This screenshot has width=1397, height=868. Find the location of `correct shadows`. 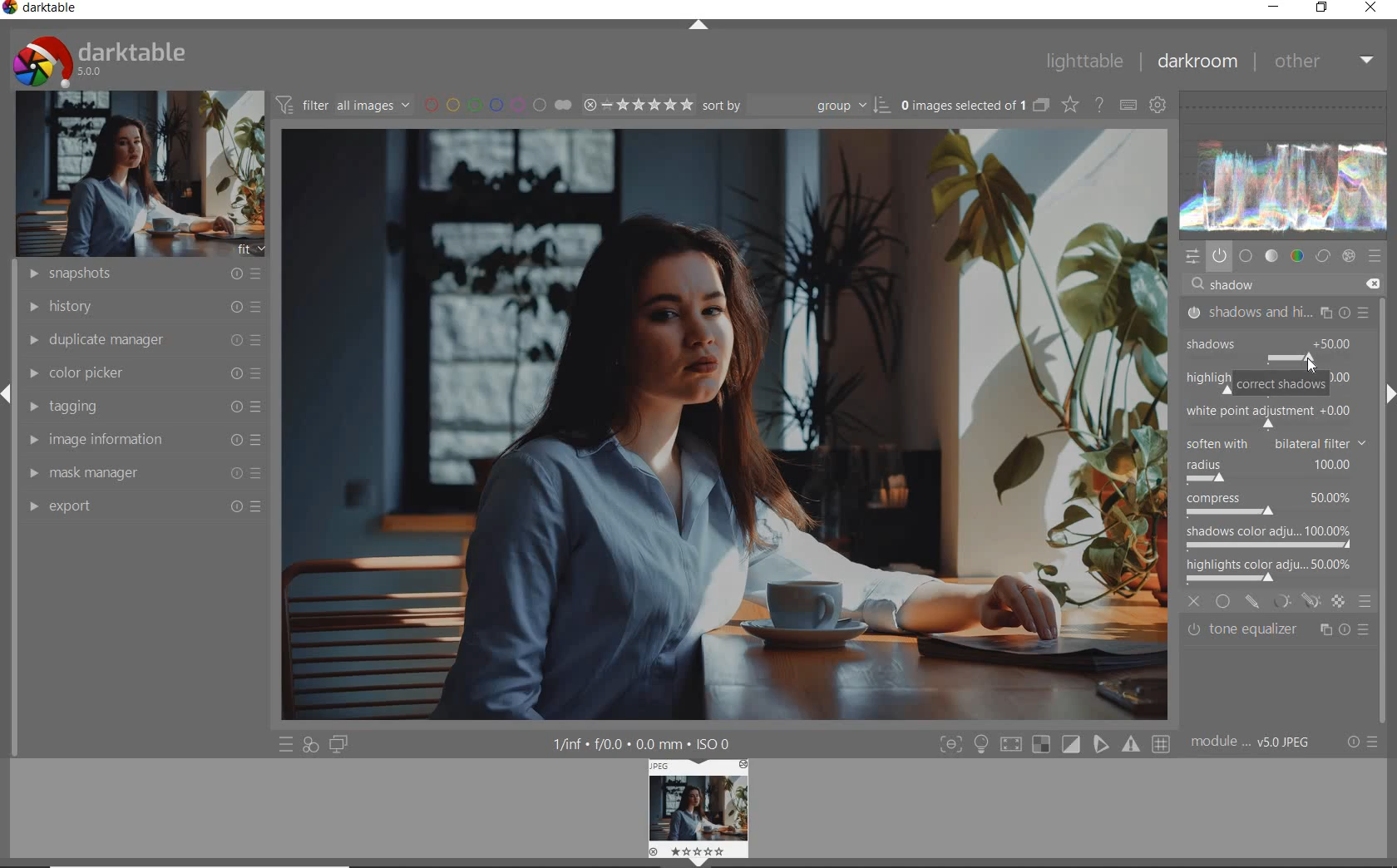

correct shadows is located at coordinates (1281, 385).